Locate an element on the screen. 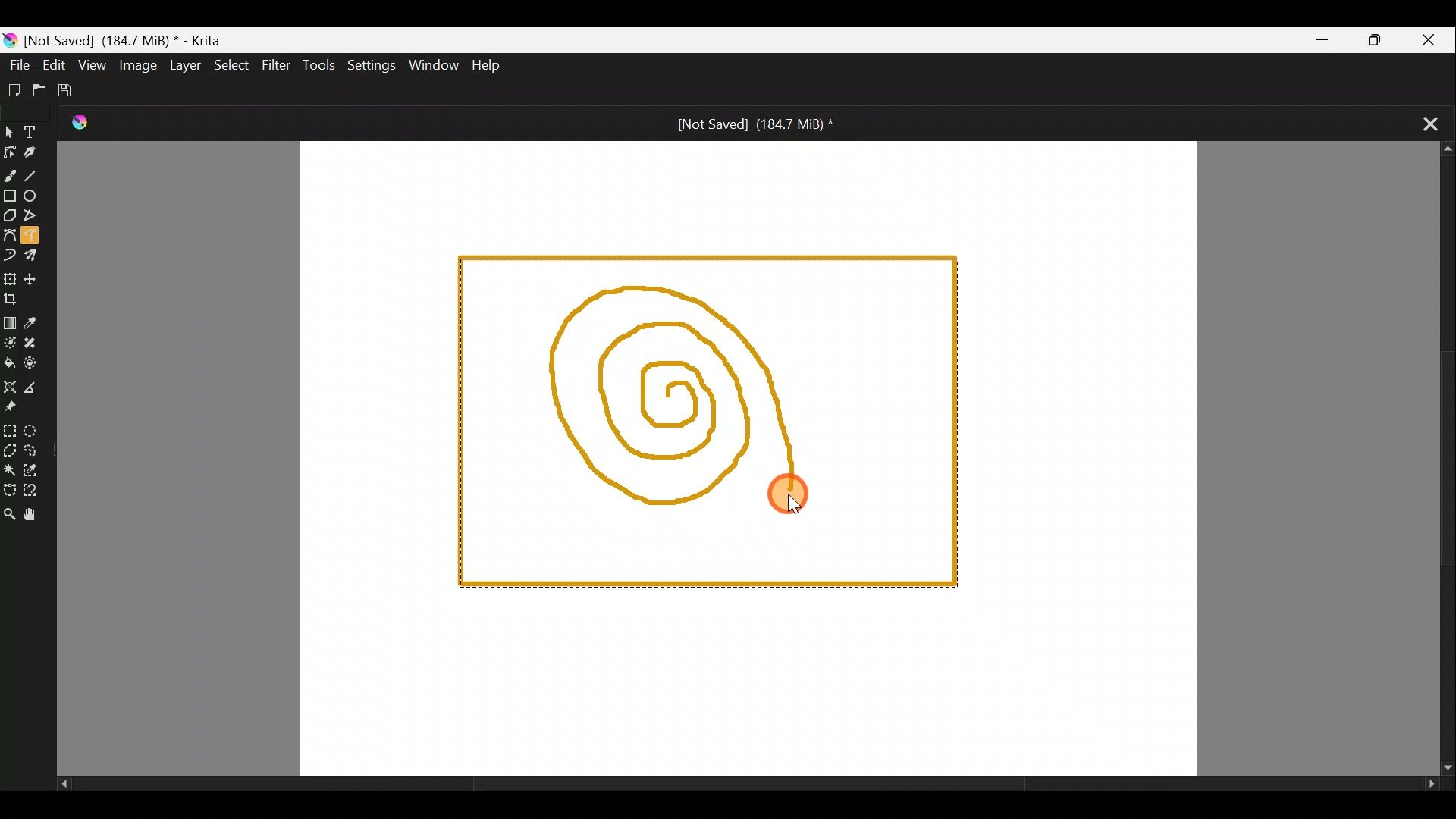 This screenshot has height=819, width=1456. Move a layer is located at coordinates (33, 281).